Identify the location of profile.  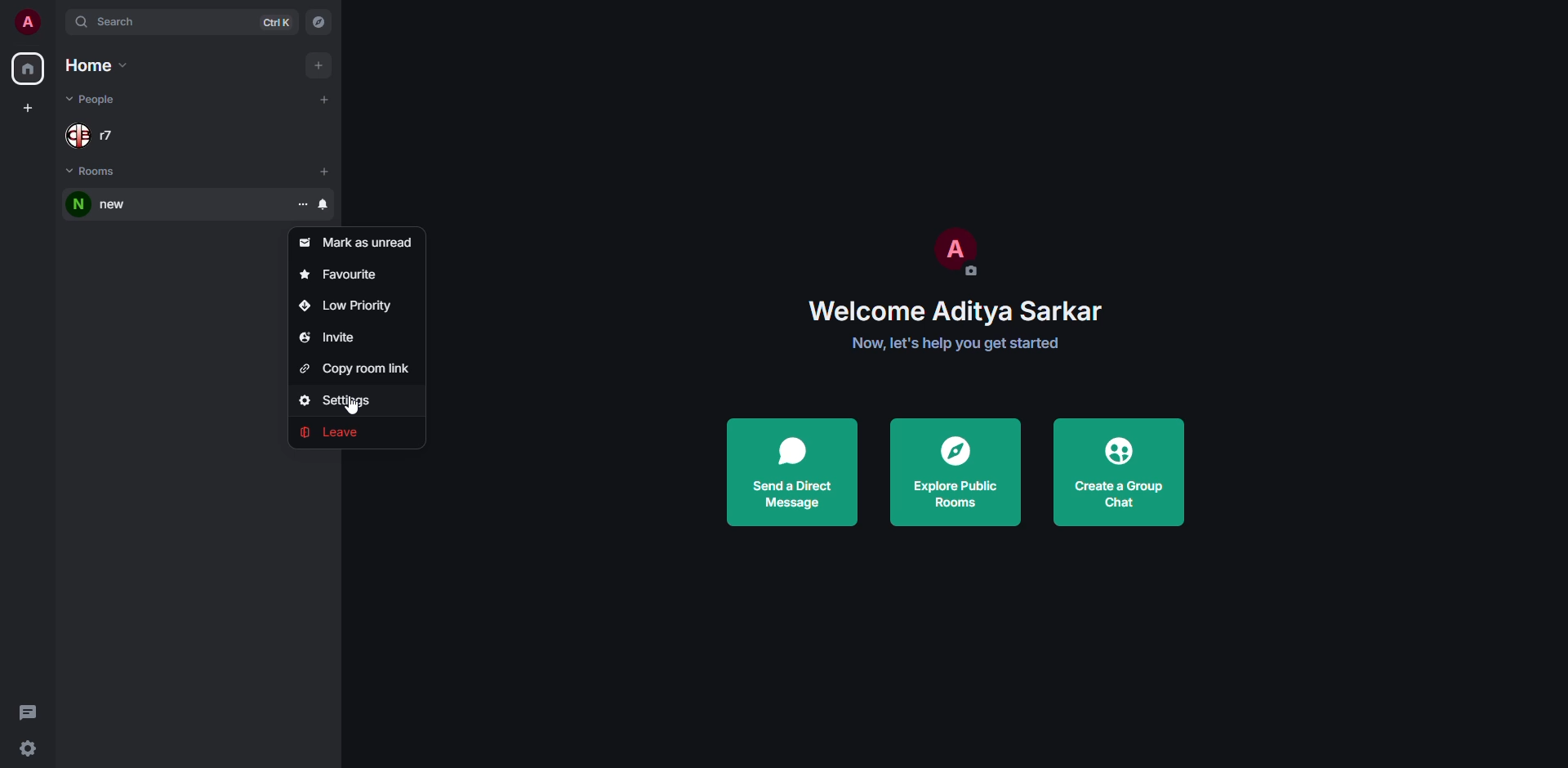
(27, 23).